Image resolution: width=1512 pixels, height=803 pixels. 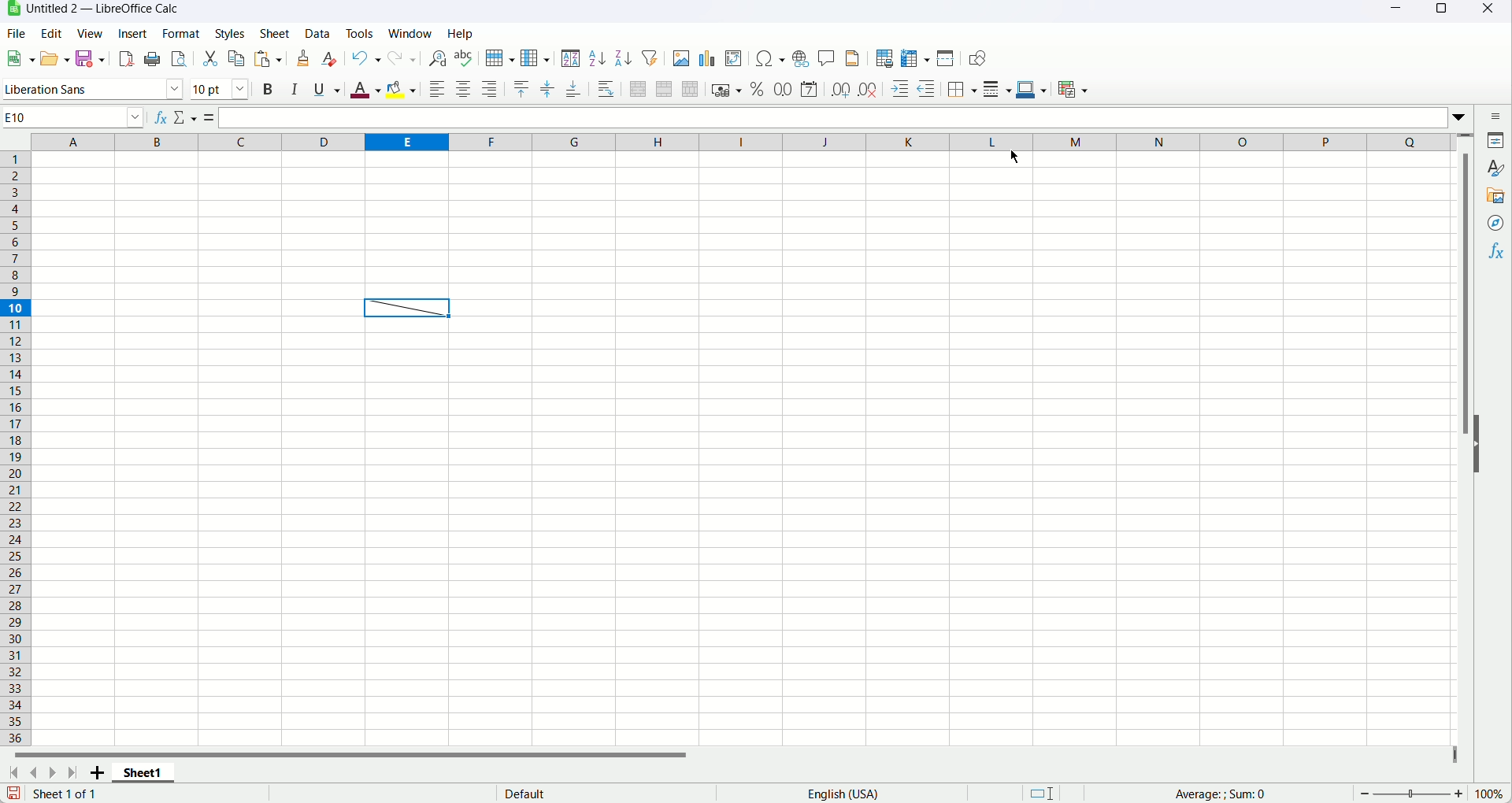 What do you see at coordinates (1216, 793) in the screenshot?
I see `Average: ; Sum: 0` at bounding box center [1216, 793].